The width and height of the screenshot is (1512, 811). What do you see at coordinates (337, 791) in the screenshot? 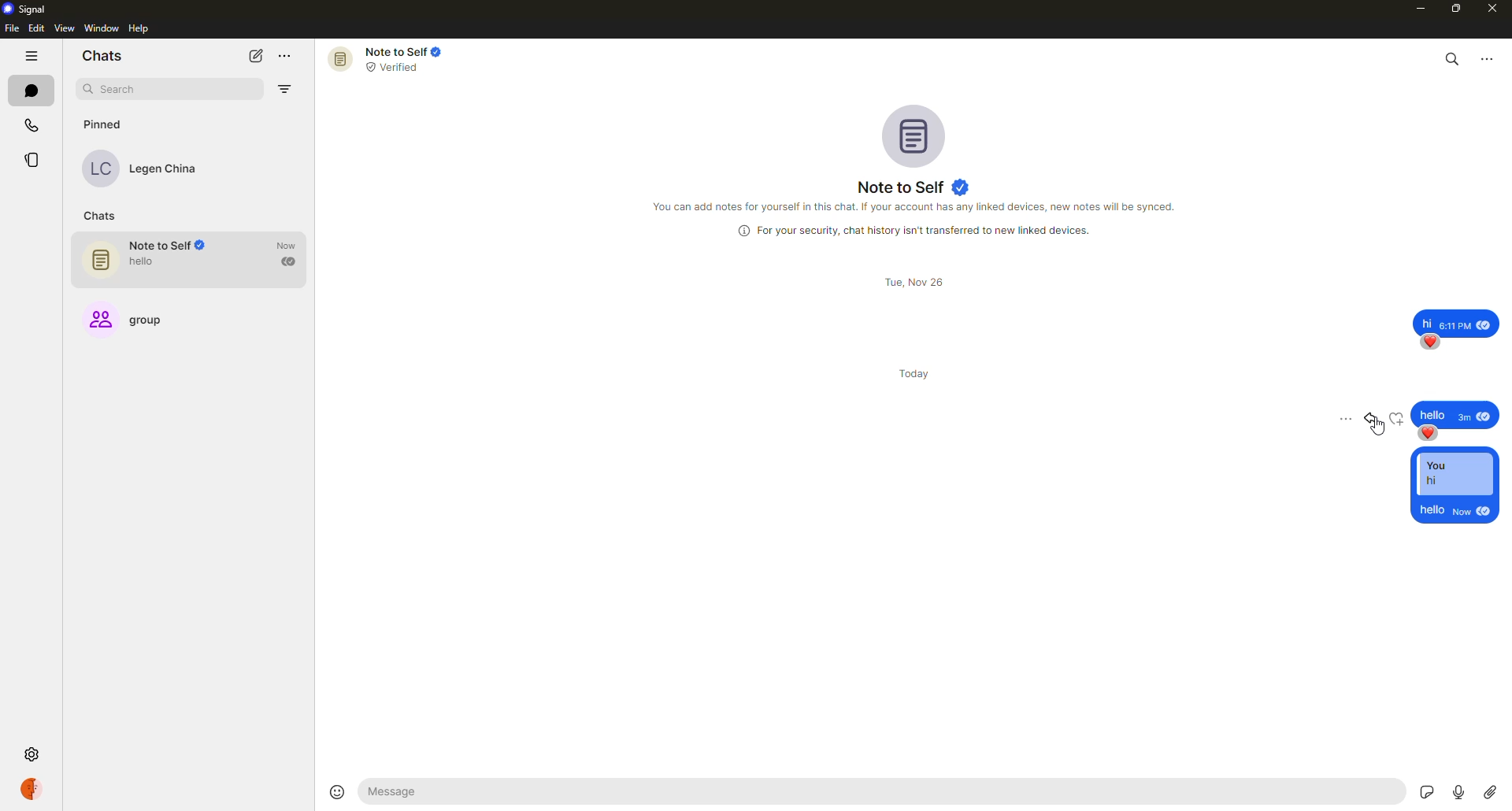
I see `emoji` at bounding box center [337, 791].